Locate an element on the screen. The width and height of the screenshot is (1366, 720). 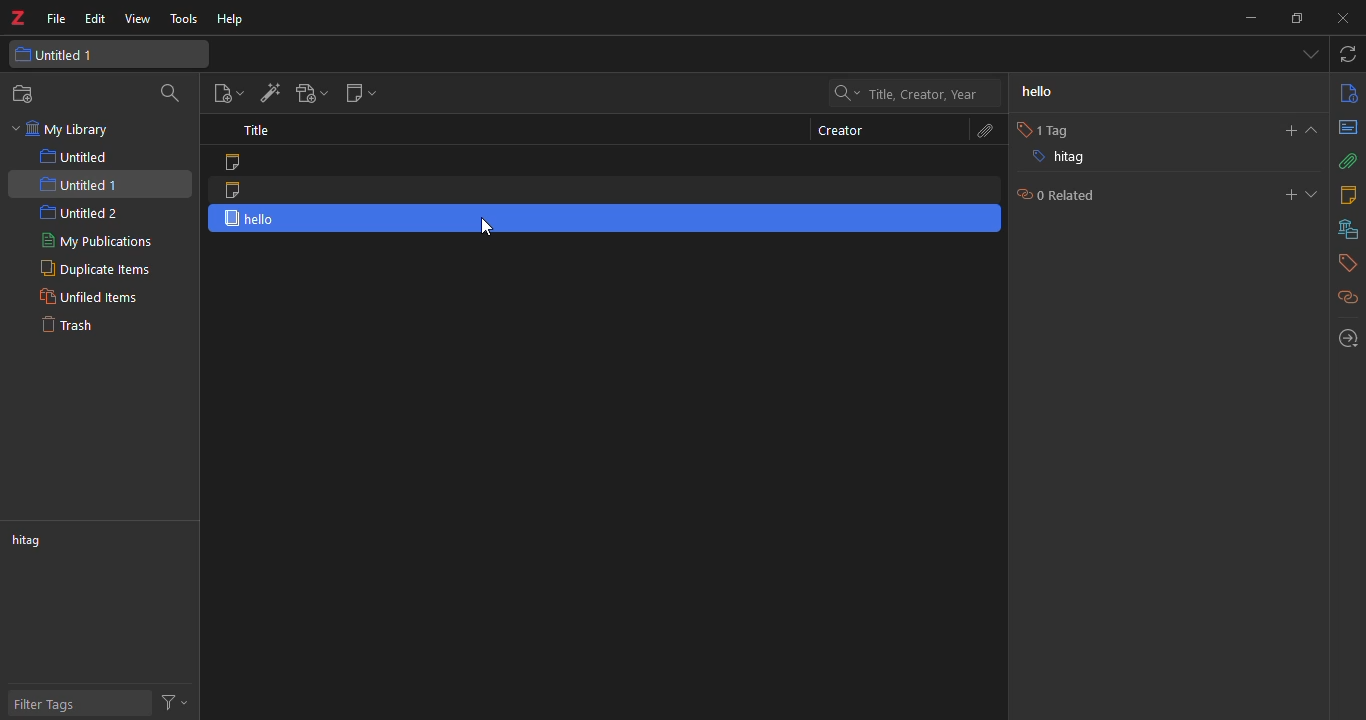
add is located at coordinates (1289, 195).